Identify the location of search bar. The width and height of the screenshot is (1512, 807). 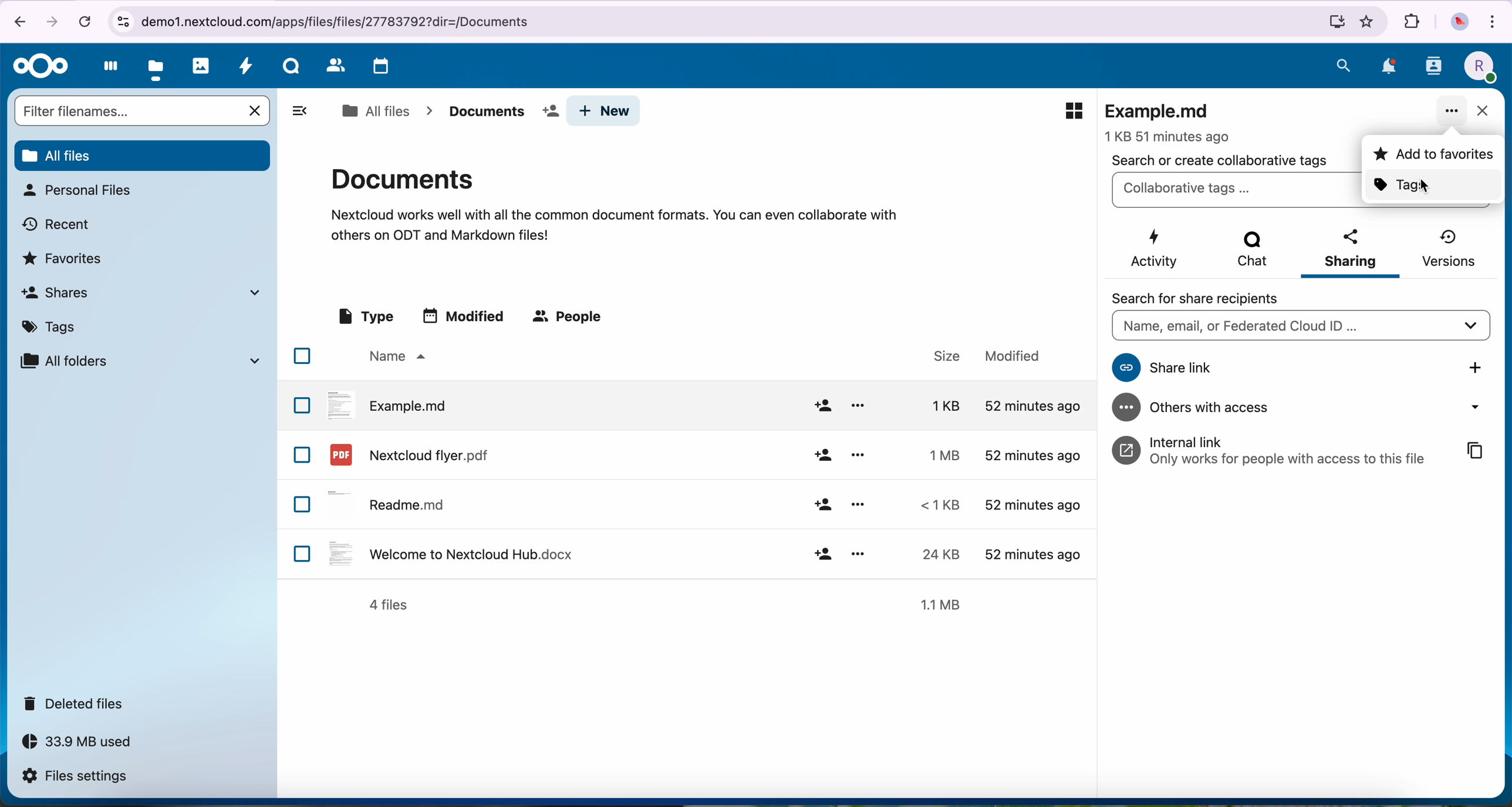
(127, 110).